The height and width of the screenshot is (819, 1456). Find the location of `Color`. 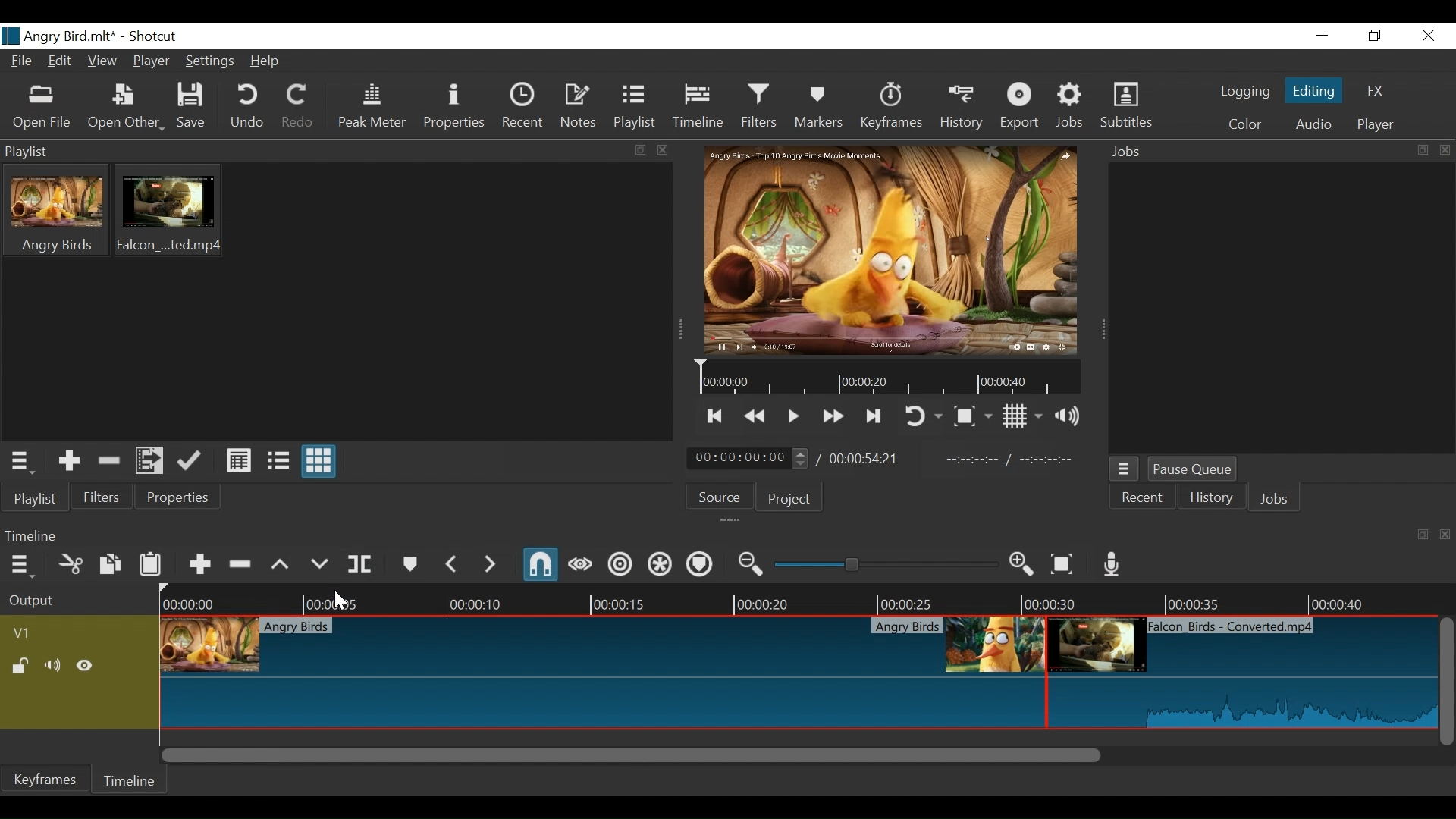

Color is located at coordinates (1246, 126).